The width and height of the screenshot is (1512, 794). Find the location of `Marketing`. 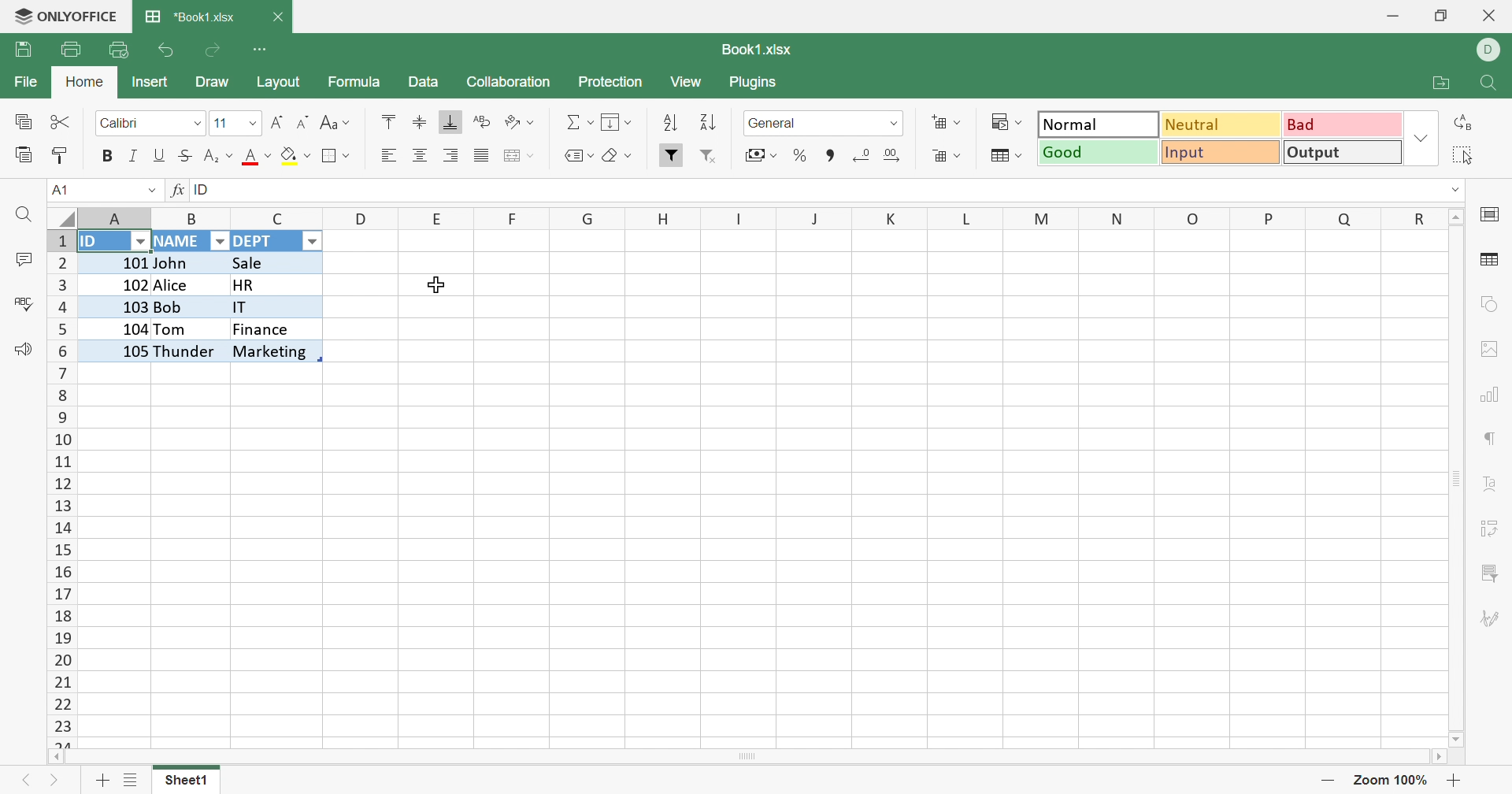

Marketing is located at coordinates (271, 351).